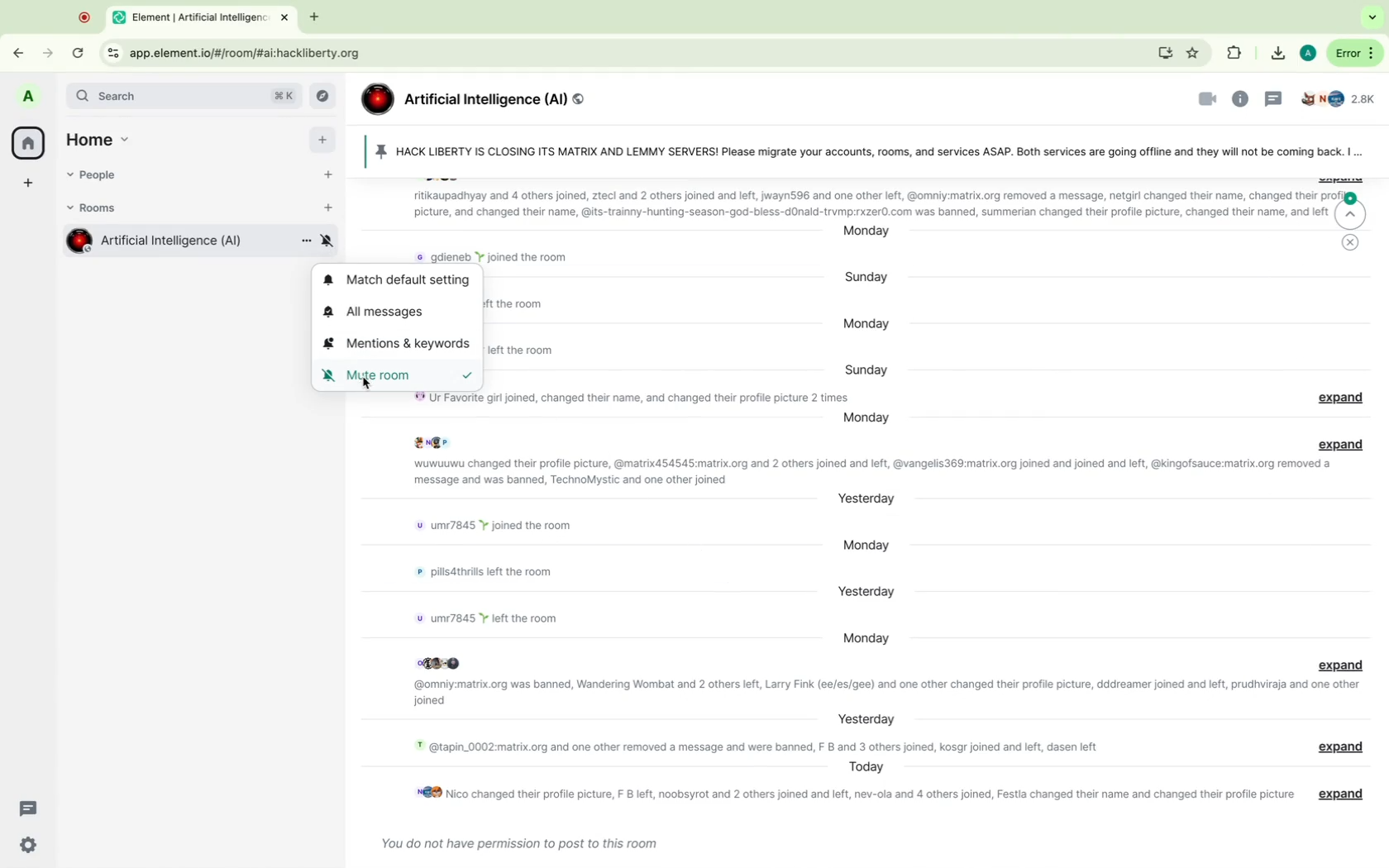  What do you see at coordinates (325, 172) in the screenshot?
I see `start chat` at bounding box center [325, 172].